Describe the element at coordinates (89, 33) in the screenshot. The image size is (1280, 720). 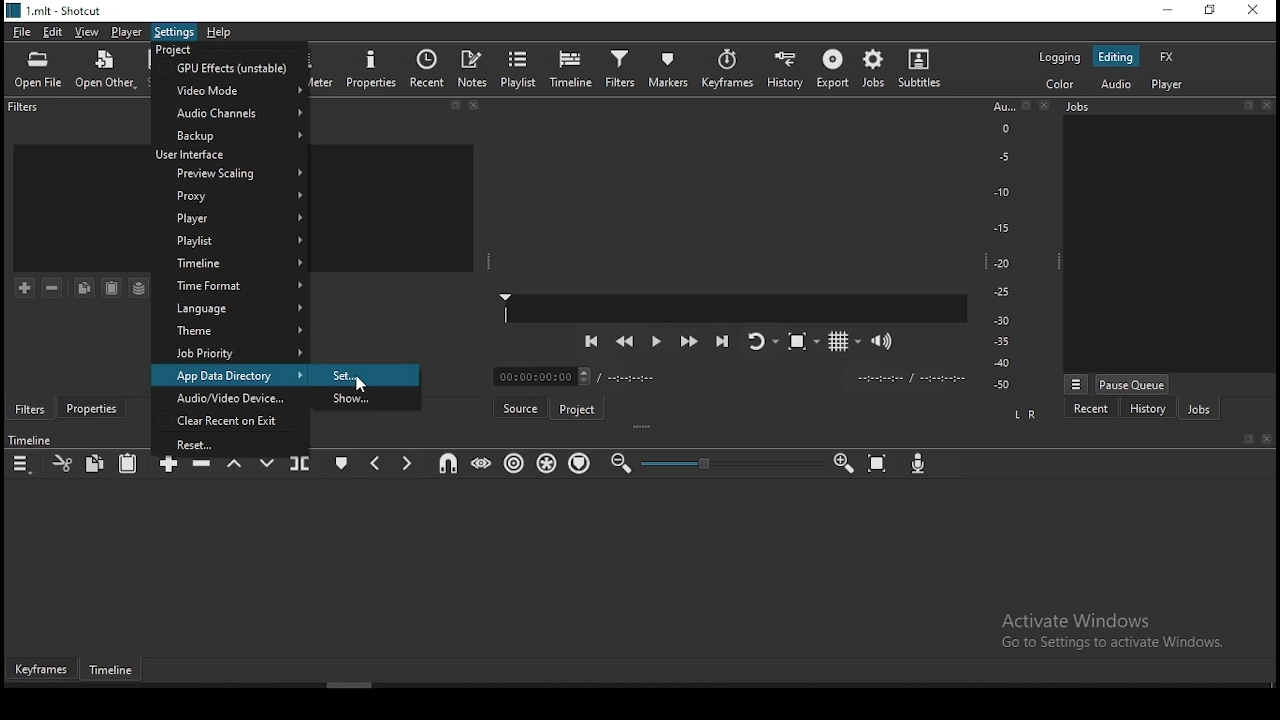
I see `view` at that location.